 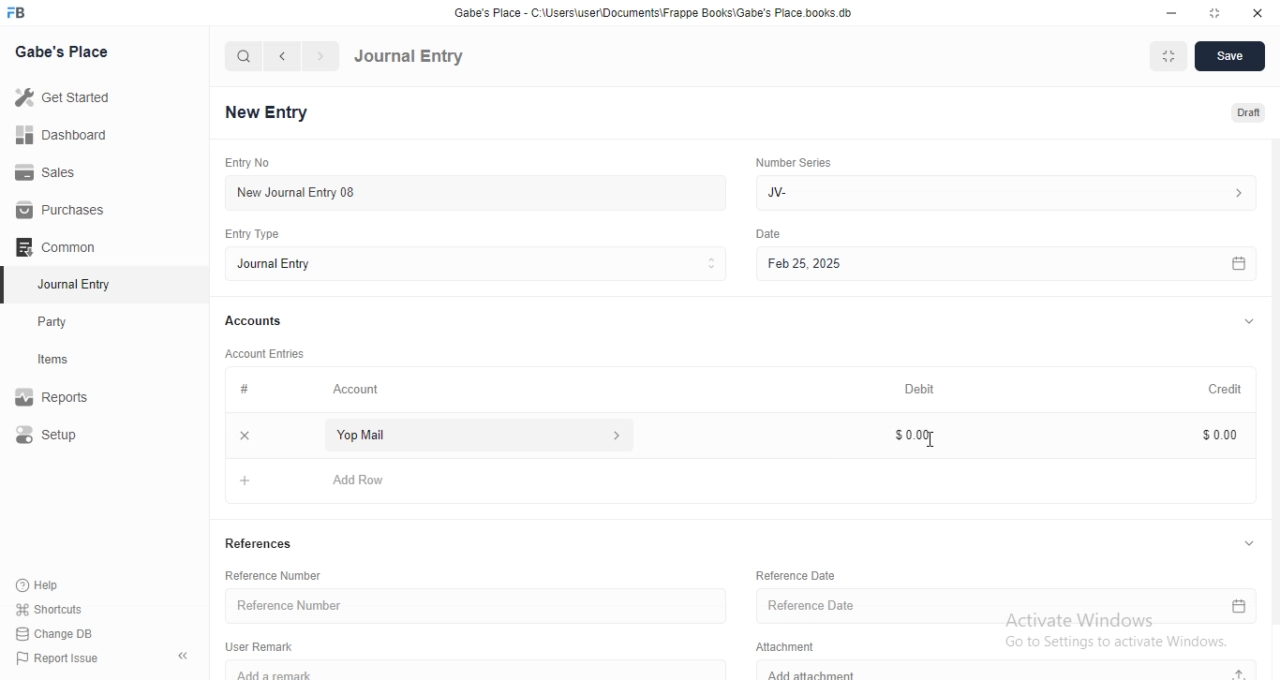 I want to click on Save, so click(x=1231, y=57).